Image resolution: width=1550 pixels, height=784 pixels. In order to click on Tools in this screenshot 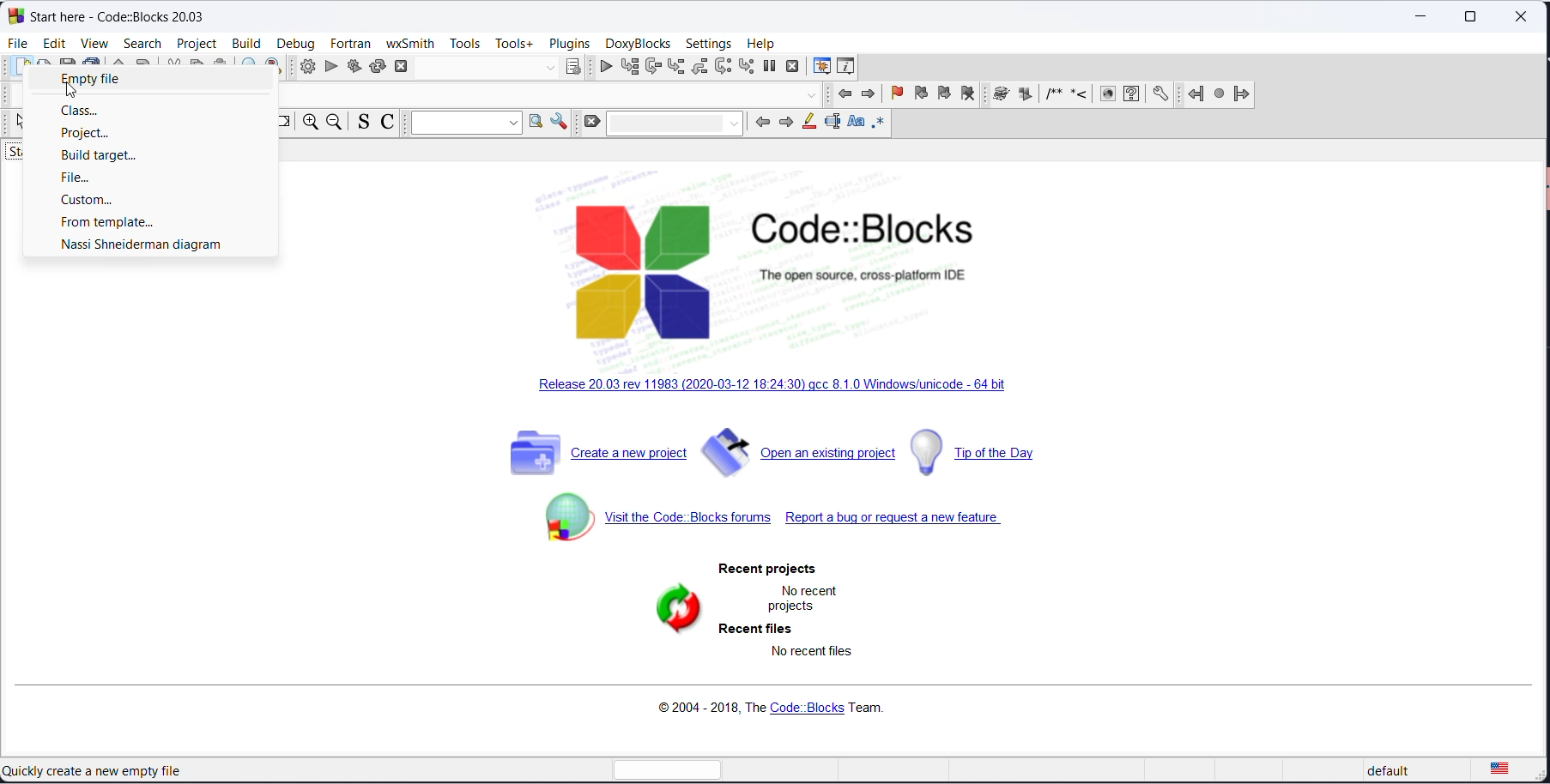, I will do `click(464, 43)`.